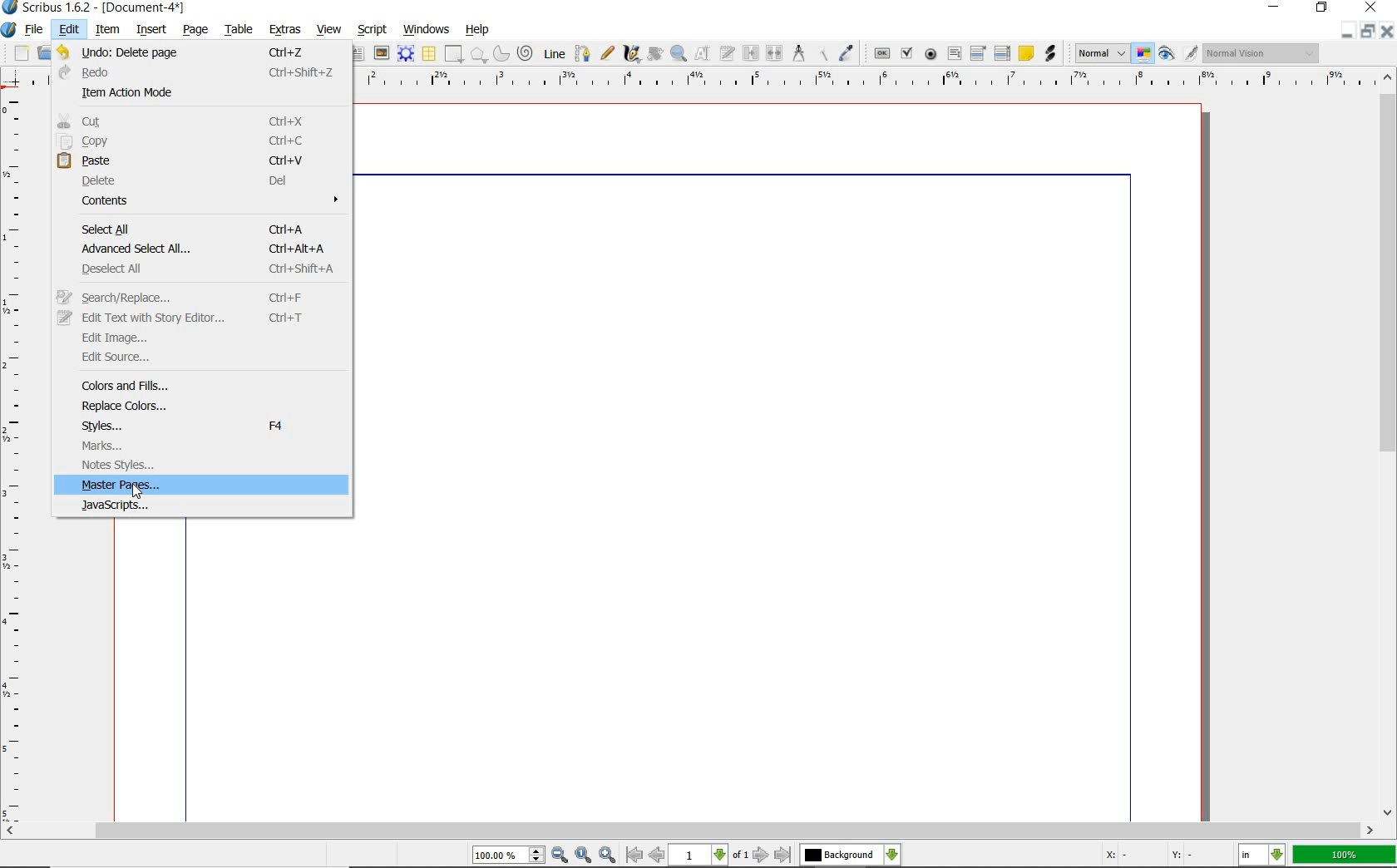  I want to click on copy item properties, so click(824, 52).